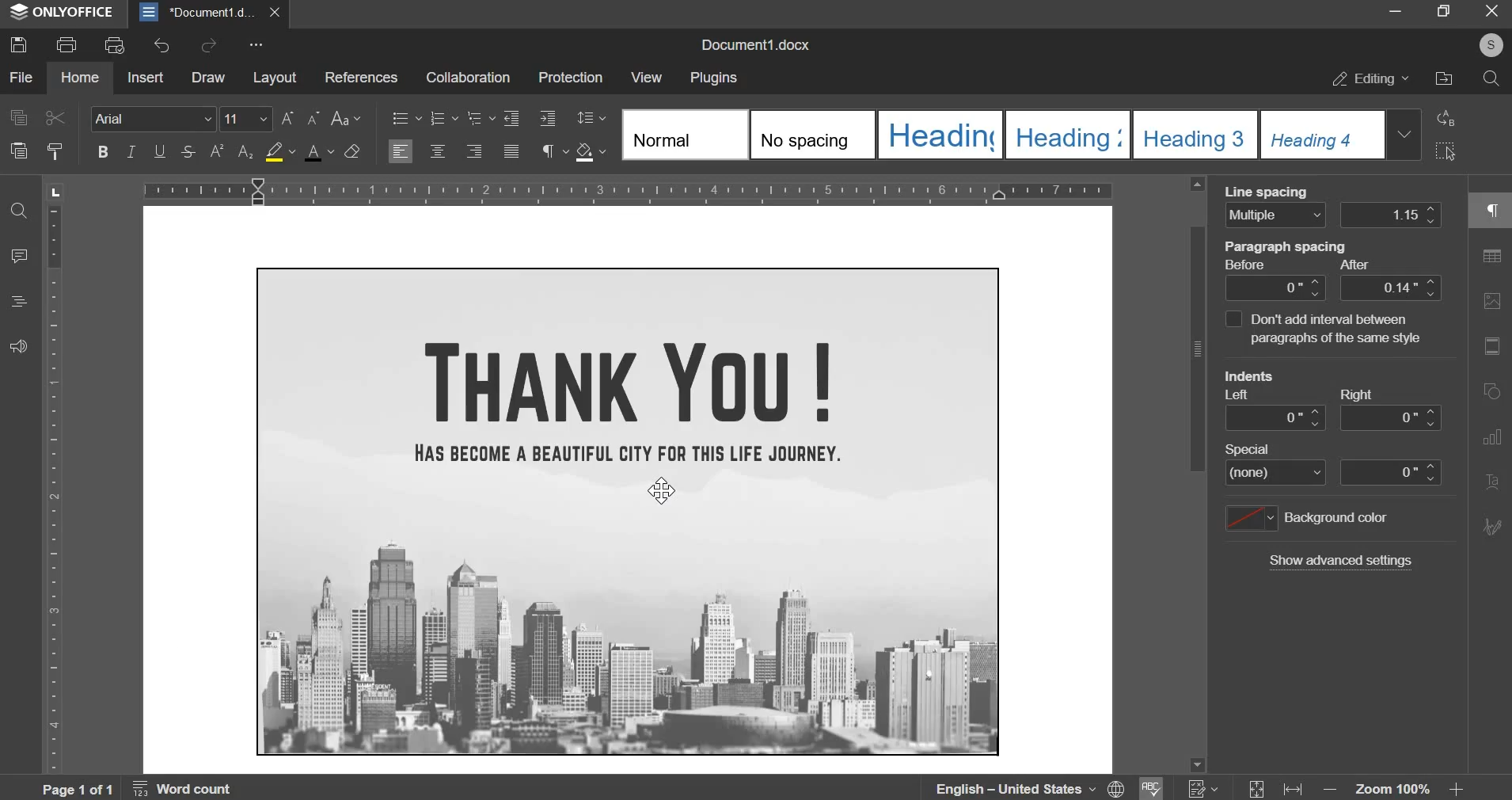 The image size is (1512, 800). Describe the element at coordinates (66, 44) in the screenshot. I see `print` at that location.